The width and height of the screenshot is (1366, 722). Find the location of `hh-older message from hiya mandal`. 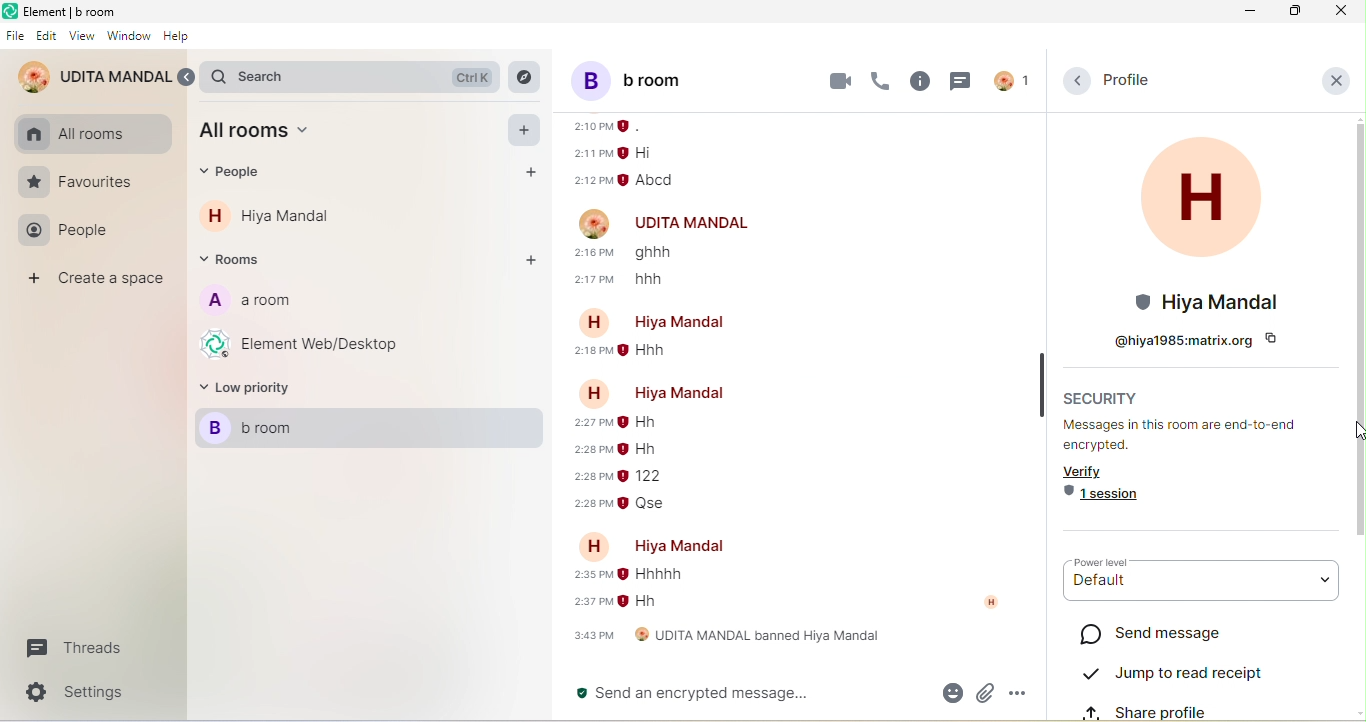

hh-older message from hiya mandal is located at coordinates (651, 421).